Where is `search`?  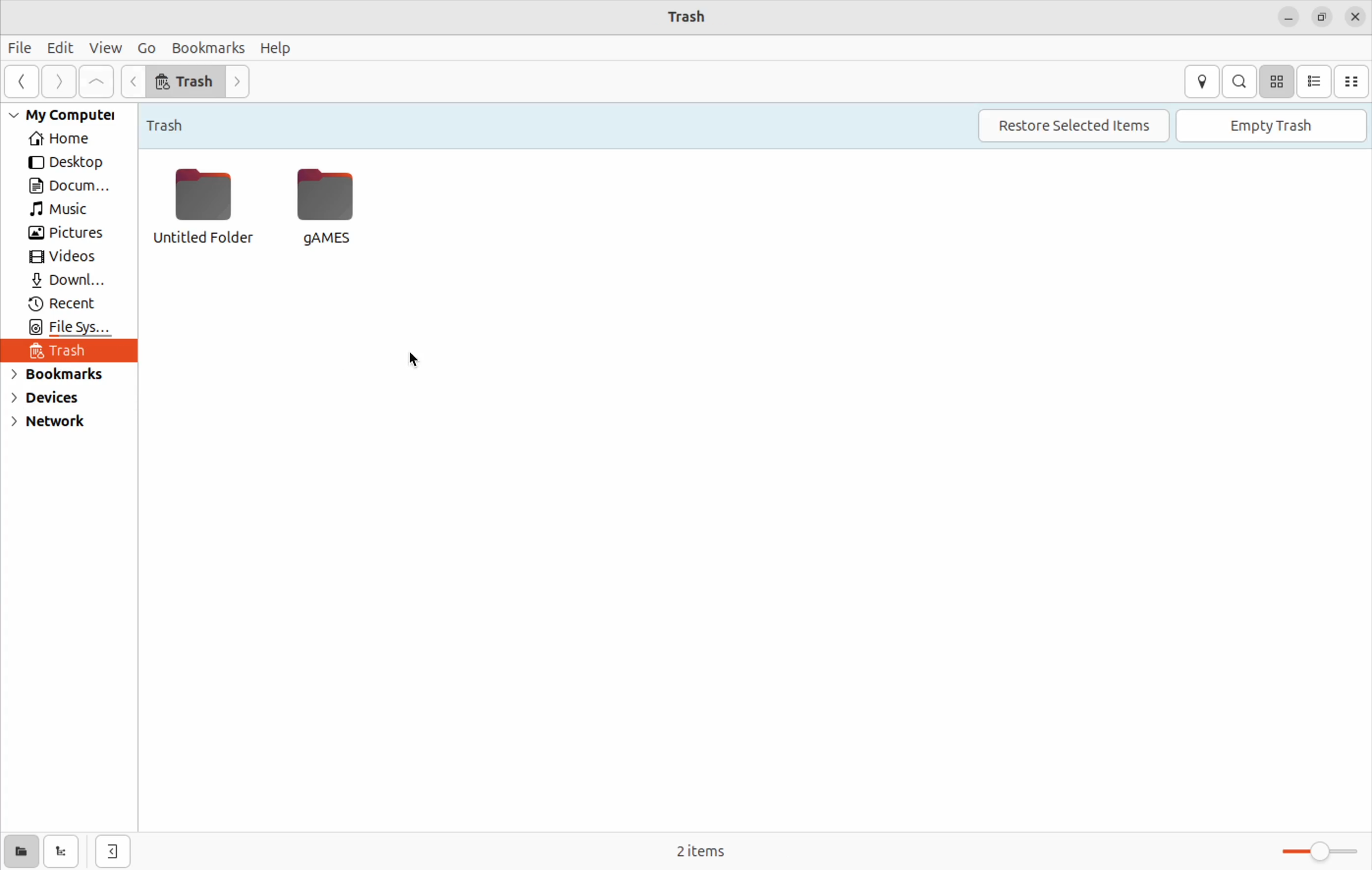 search is located at coordinates (1239, 82).